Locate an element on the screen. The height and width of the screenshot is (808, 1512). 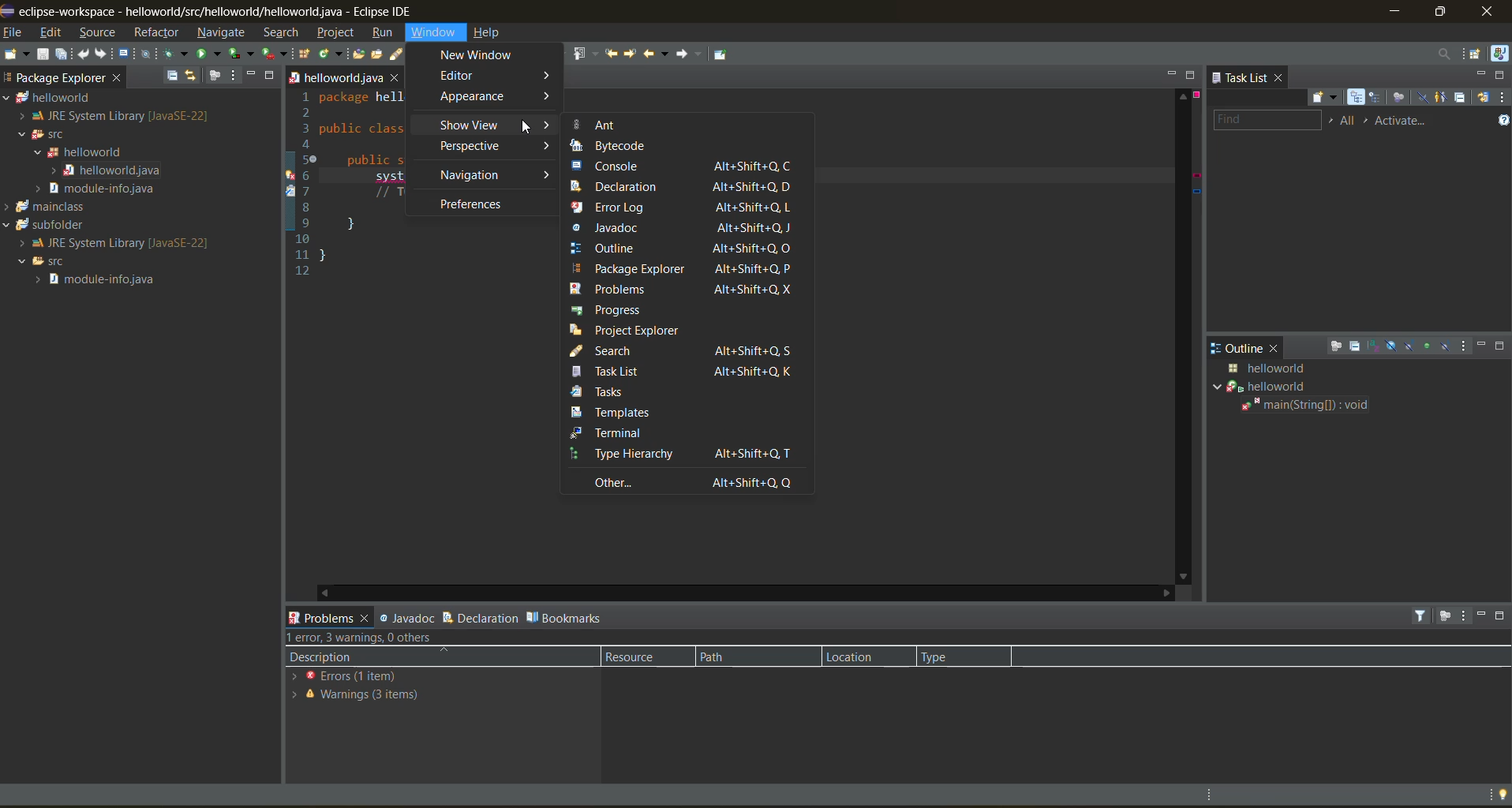
window is located at coordinates (430, 32).